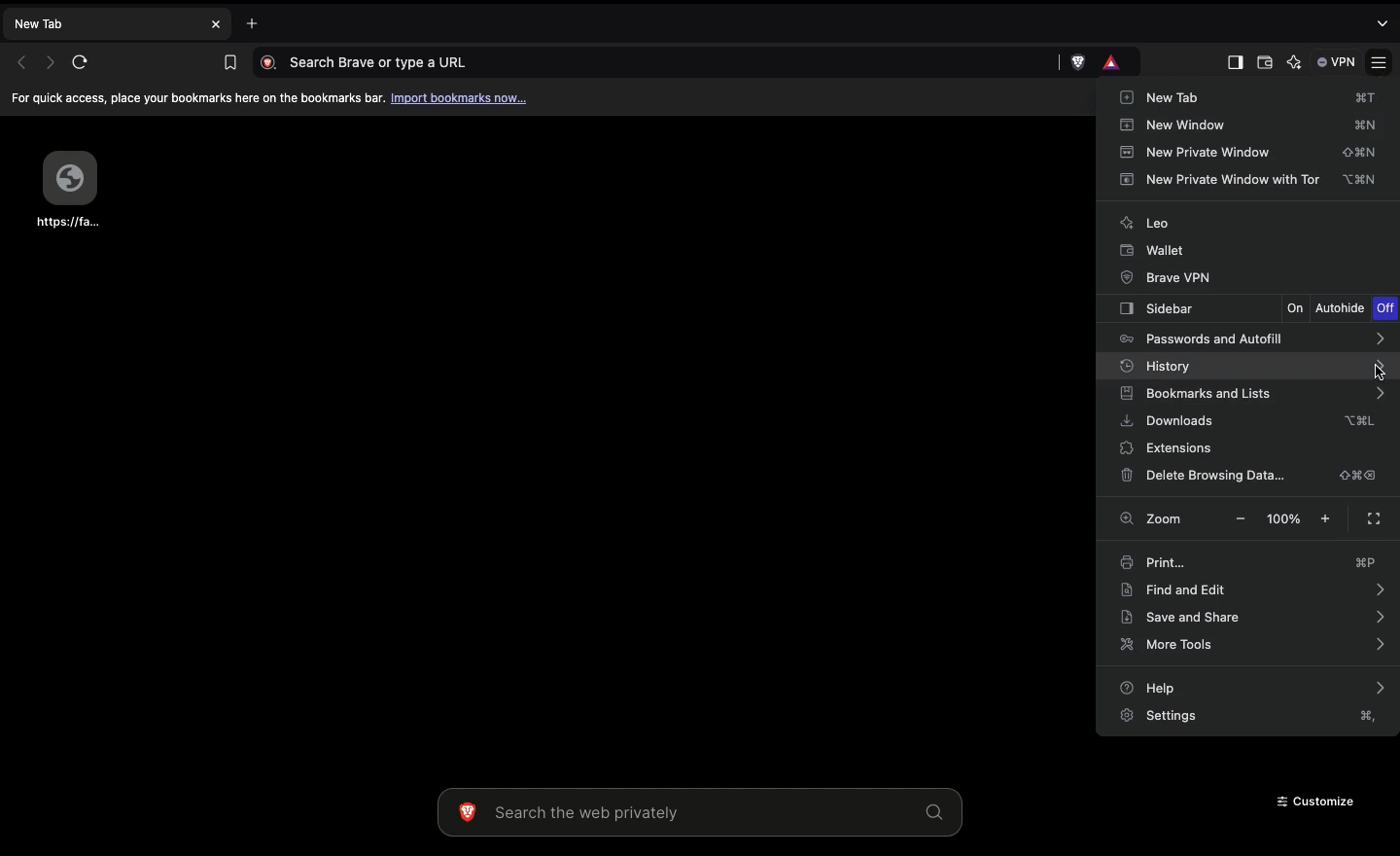 This screenshot has height=856, width=1400. I want to click on rewards, so click(1113, 61).